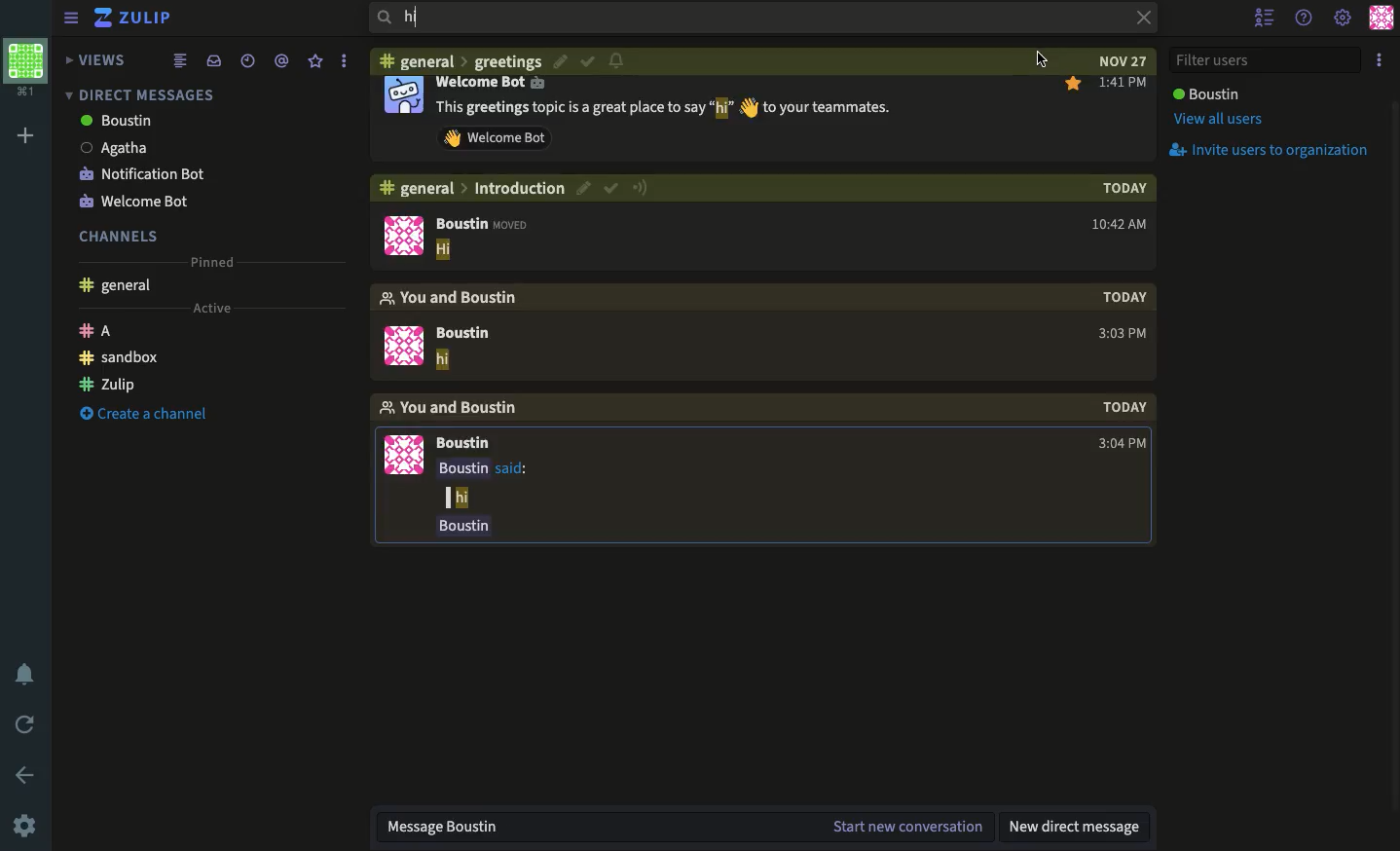 This screenshot has height=851, width=1400. I want to click on 10:42 AM, so click(1117, 223).